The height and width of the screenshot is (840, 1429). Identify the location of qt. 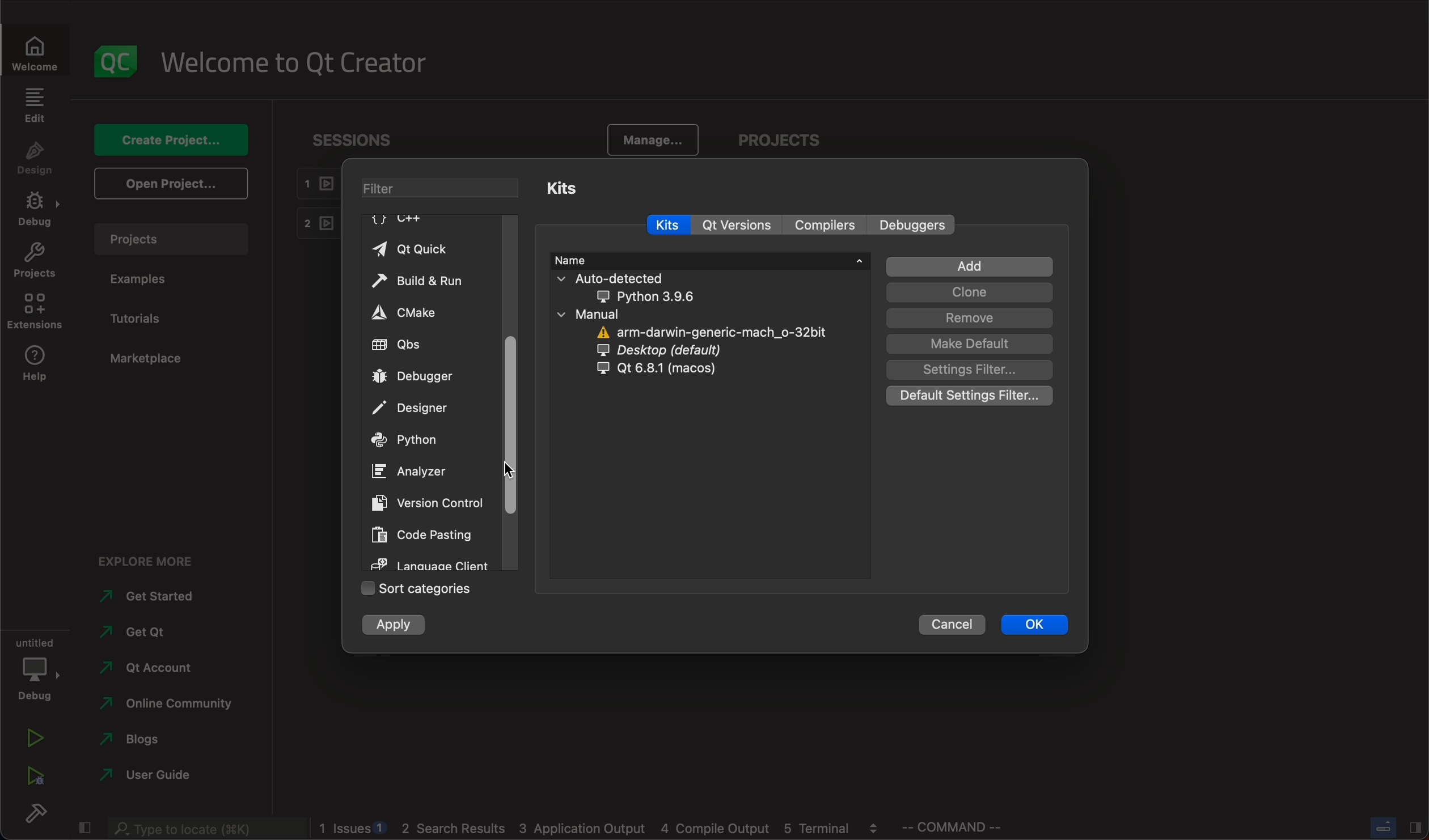
(145, 630).